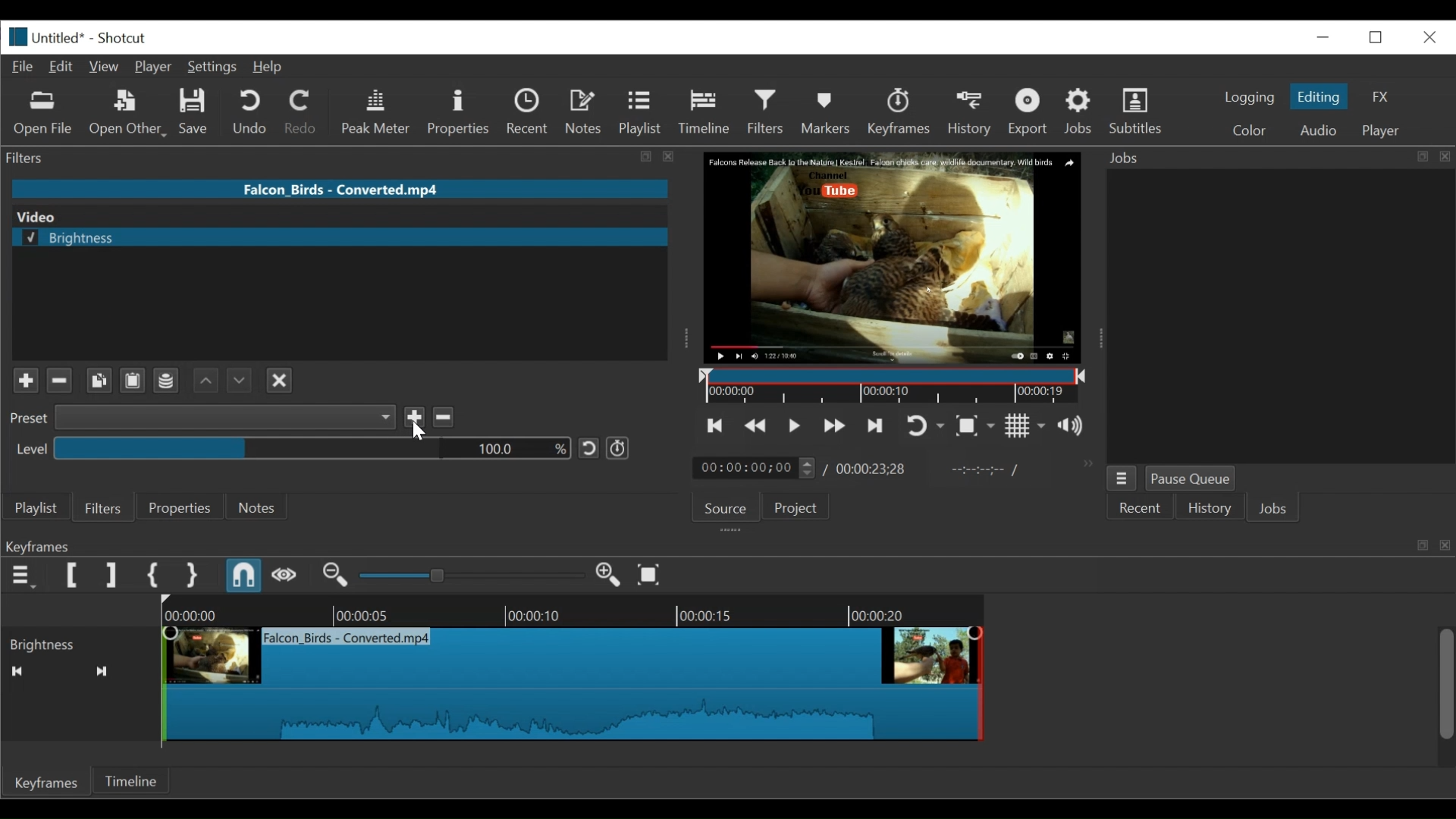 The width and height of the screenshot is (1456, 819). I want to click on Skip to the next point, so click(872, 427).